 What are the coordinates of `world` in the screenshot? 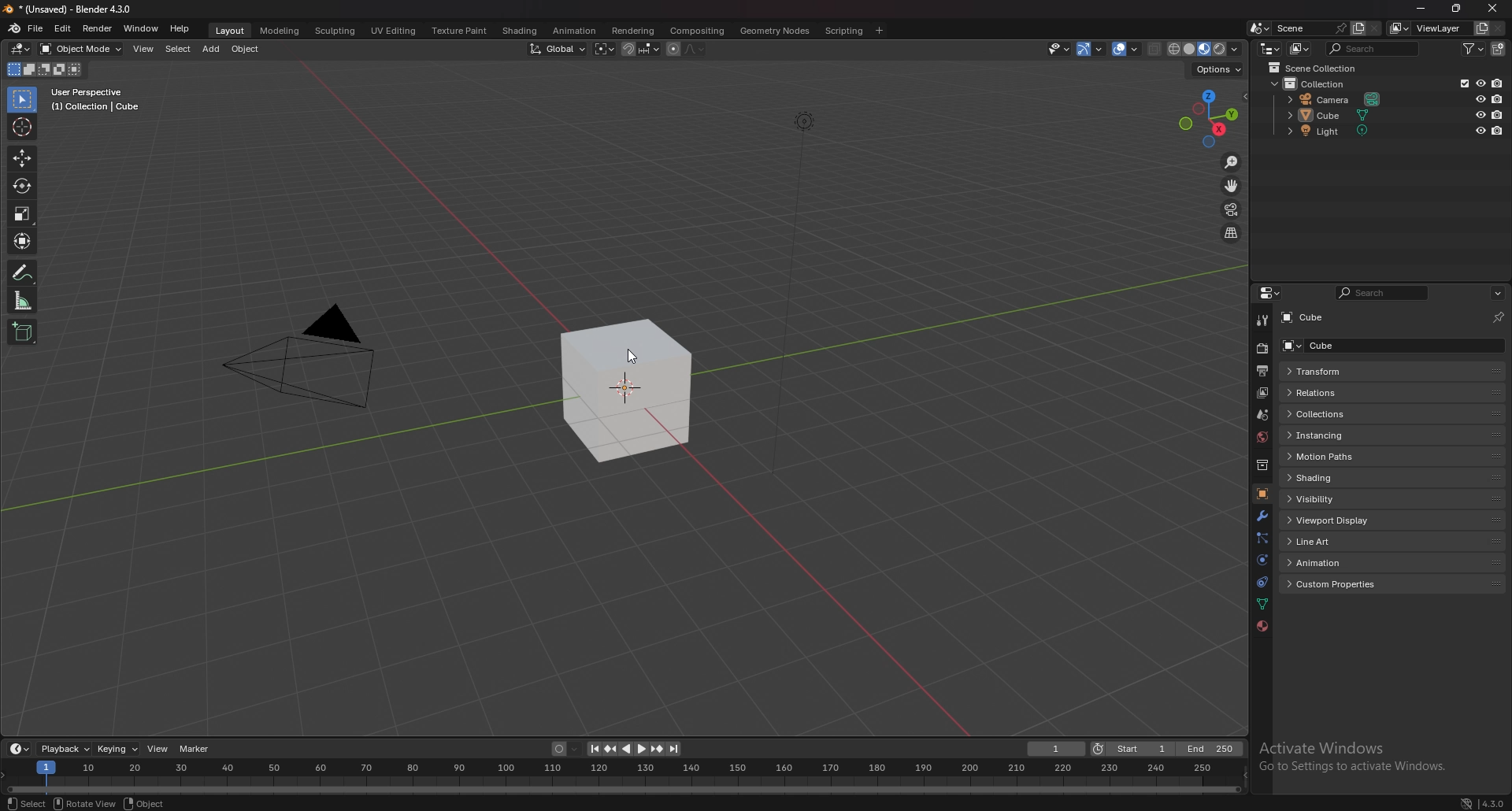 It's located at (1262, 438).